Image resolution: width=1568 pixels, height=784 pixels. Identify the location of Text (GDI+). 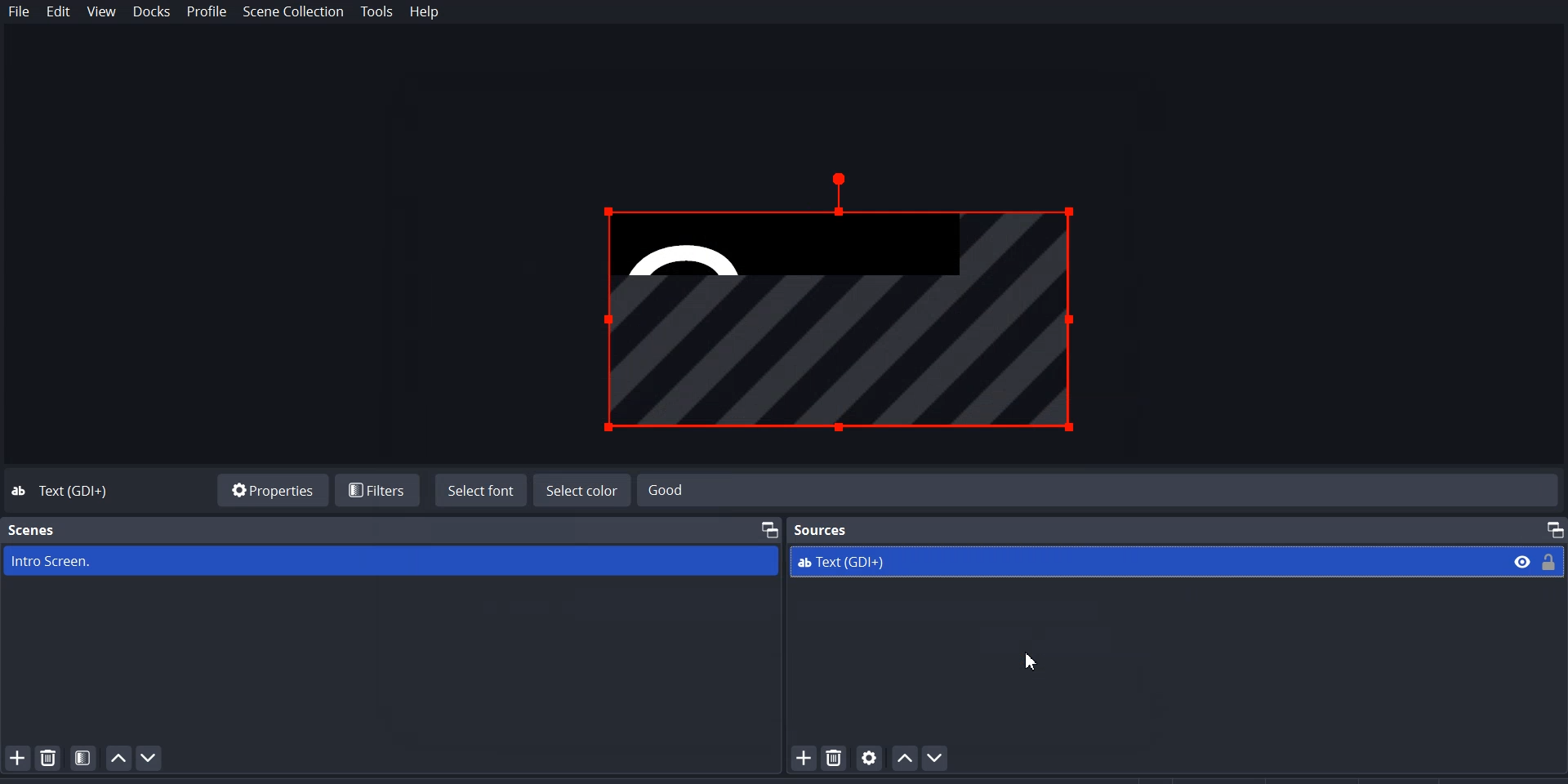
(78, 492).